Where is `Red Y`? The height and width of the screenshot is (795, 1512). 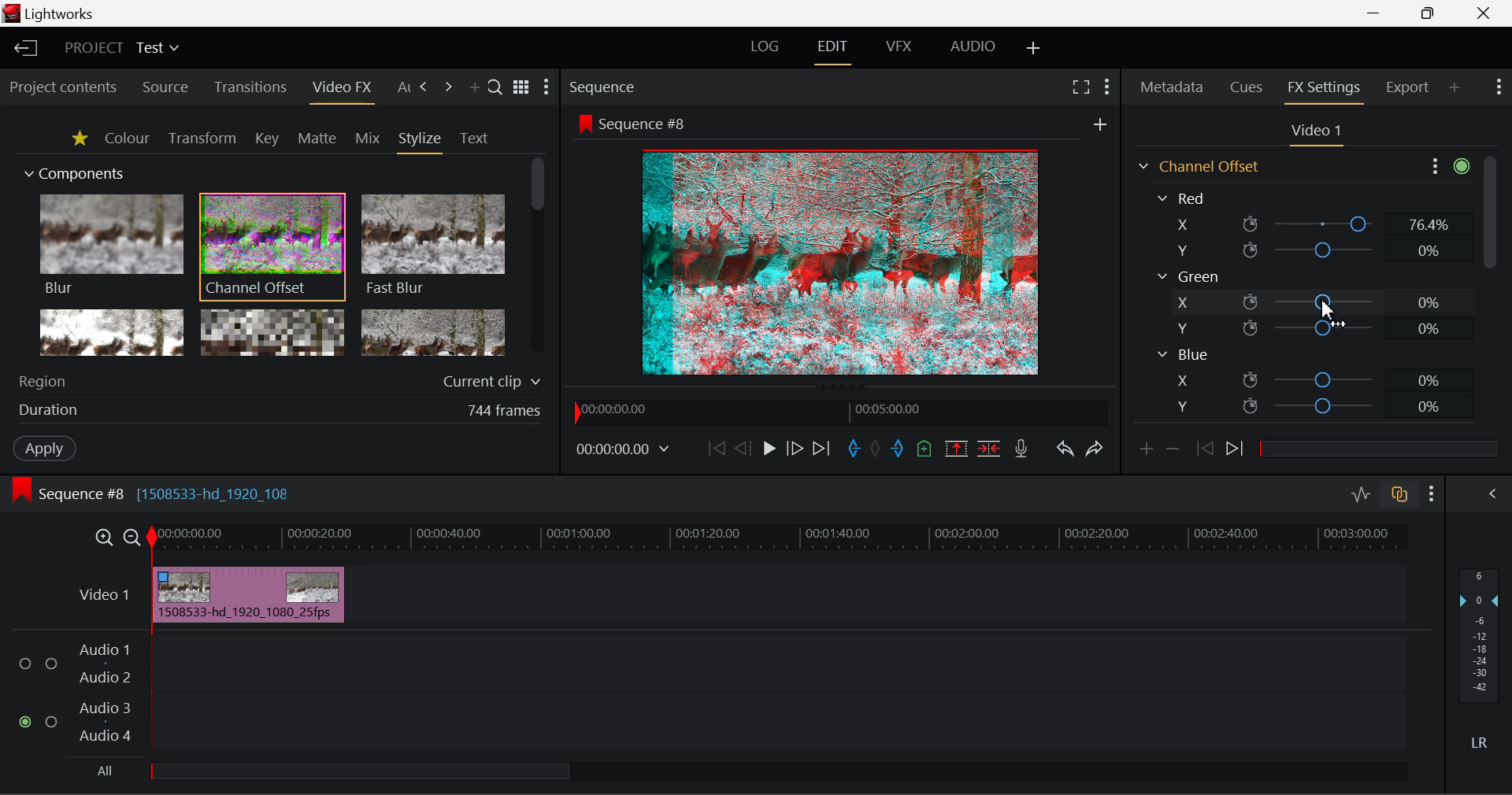 Red Y is located at coordinates (1306, 250).